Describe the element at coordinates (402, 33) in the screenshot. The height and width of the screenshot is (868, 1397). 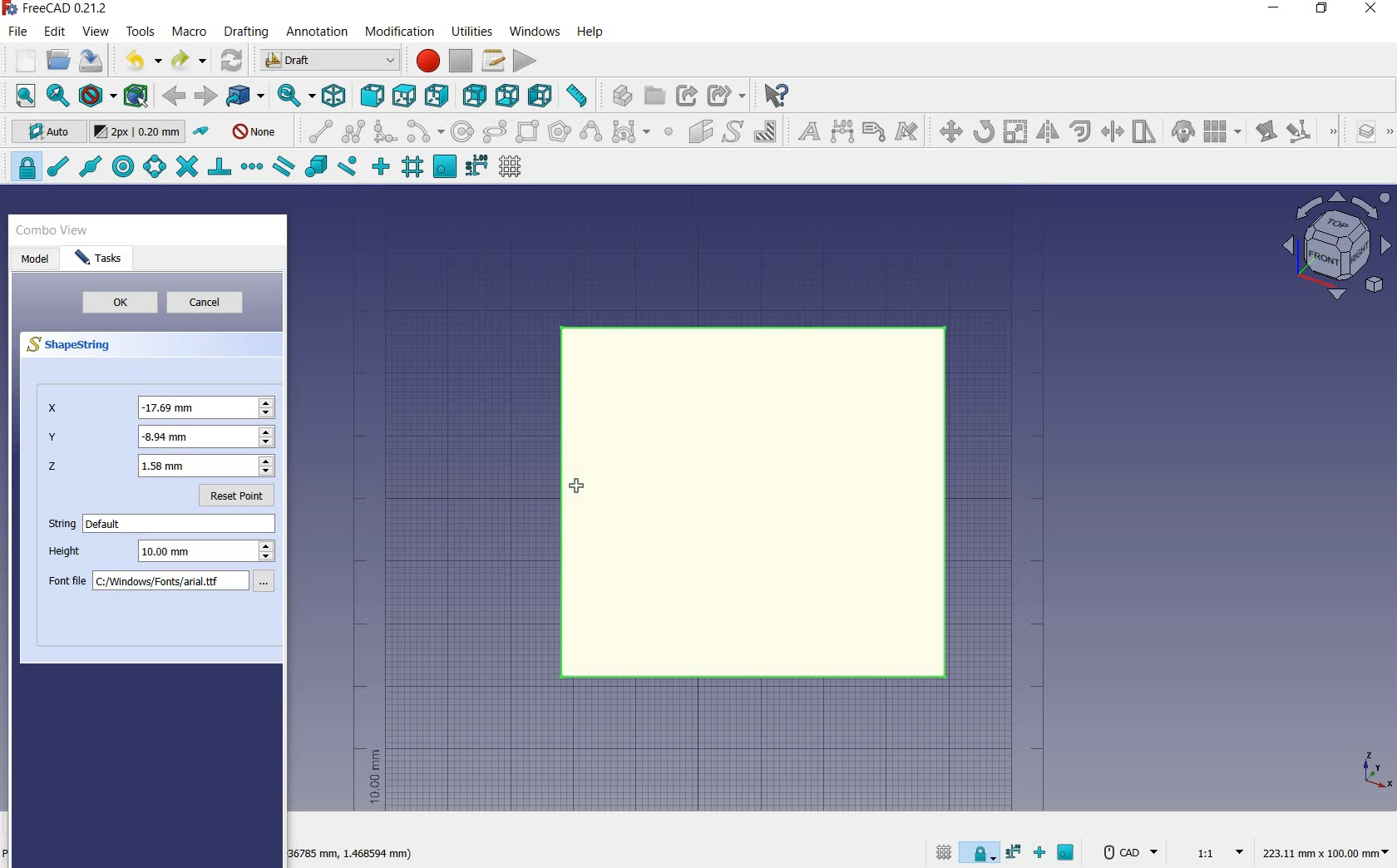
I see `modification` at that location.